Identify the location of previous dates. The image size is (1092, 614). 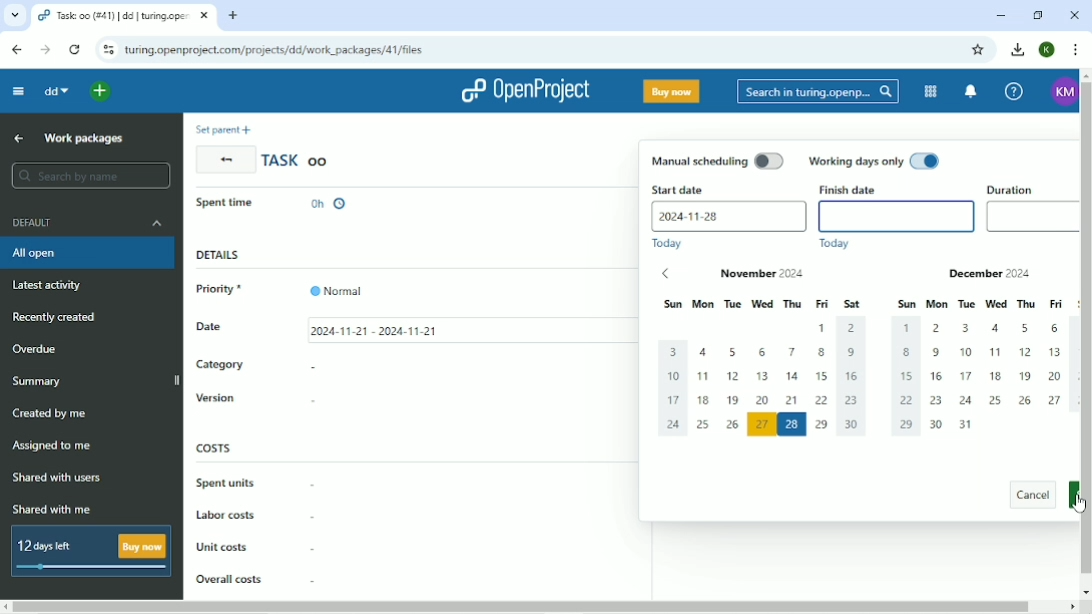
(659, 275).